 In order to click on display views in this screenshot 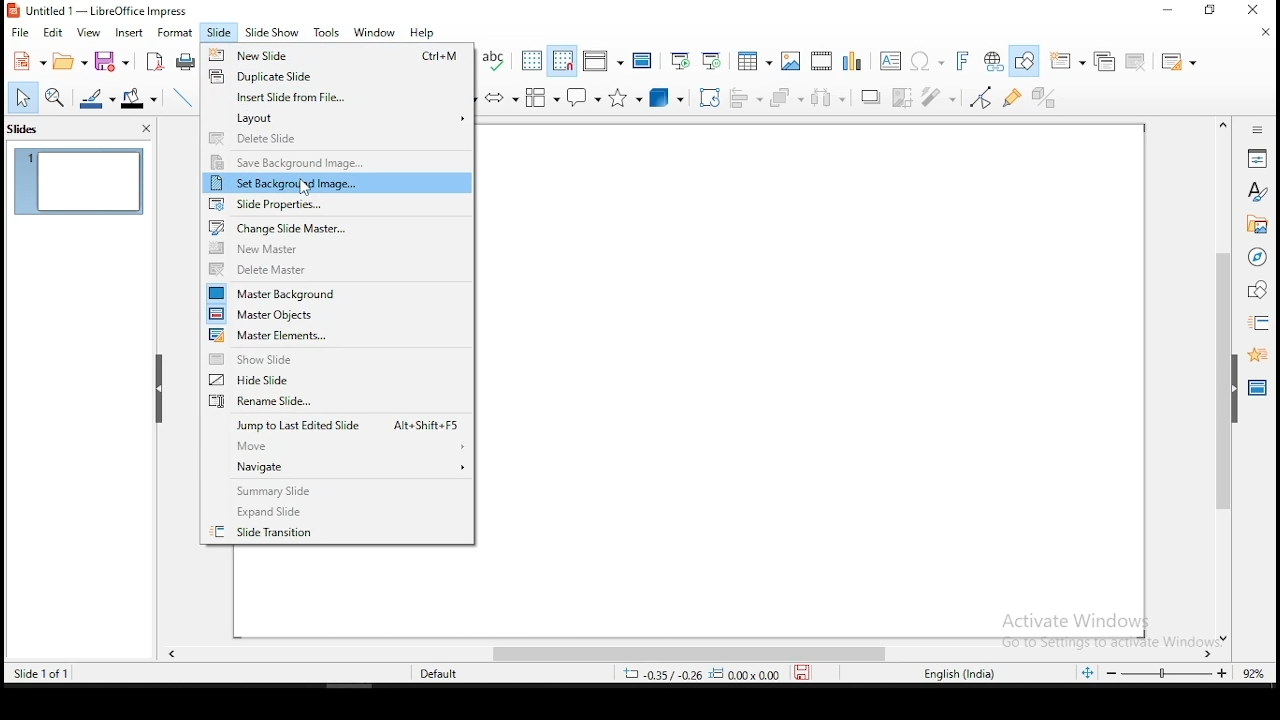, I will do `click(603, 60)`.